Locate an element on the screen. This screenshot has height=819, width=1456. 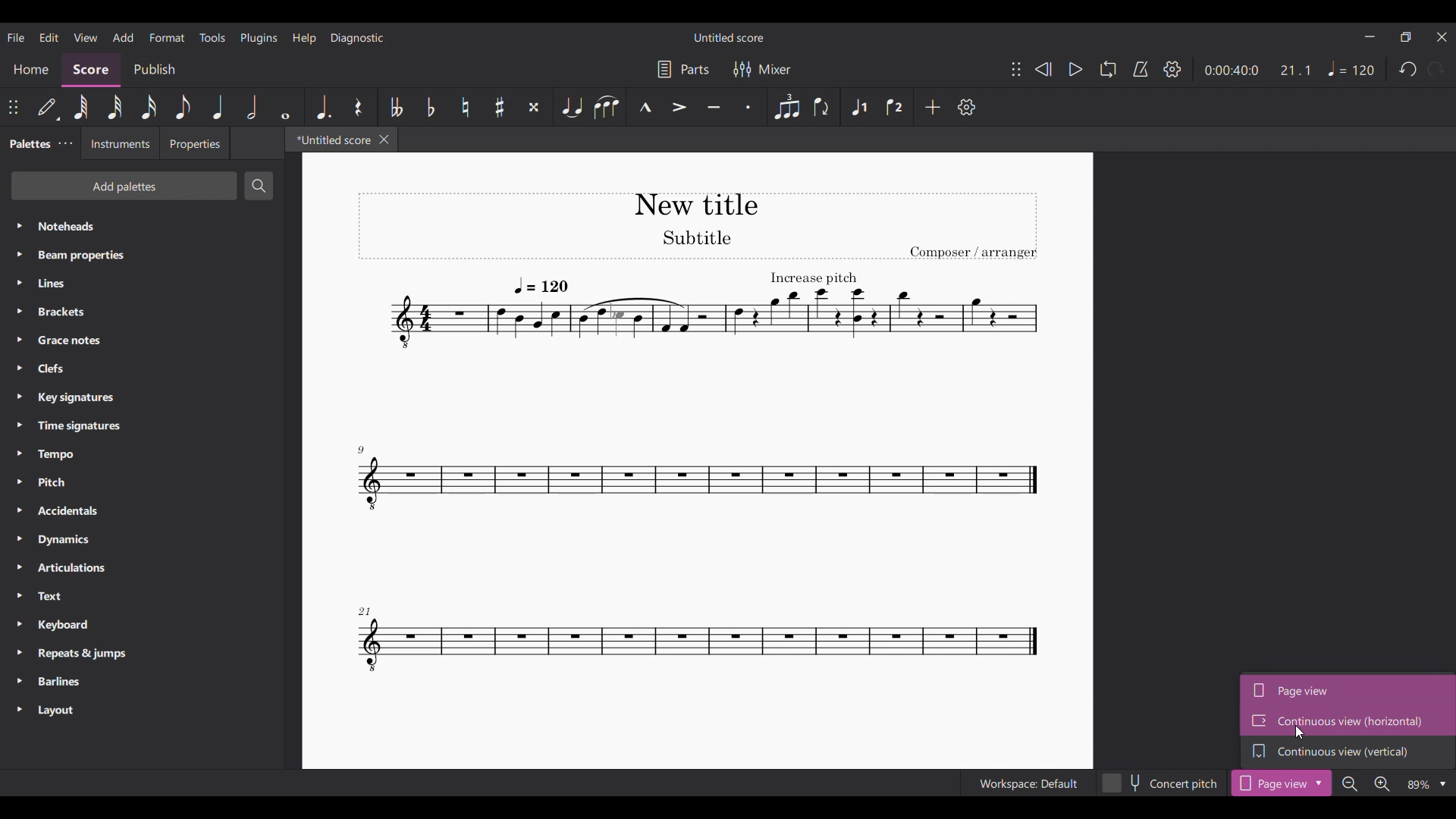
Toggle double sharp is located at coordinates (534, 107).